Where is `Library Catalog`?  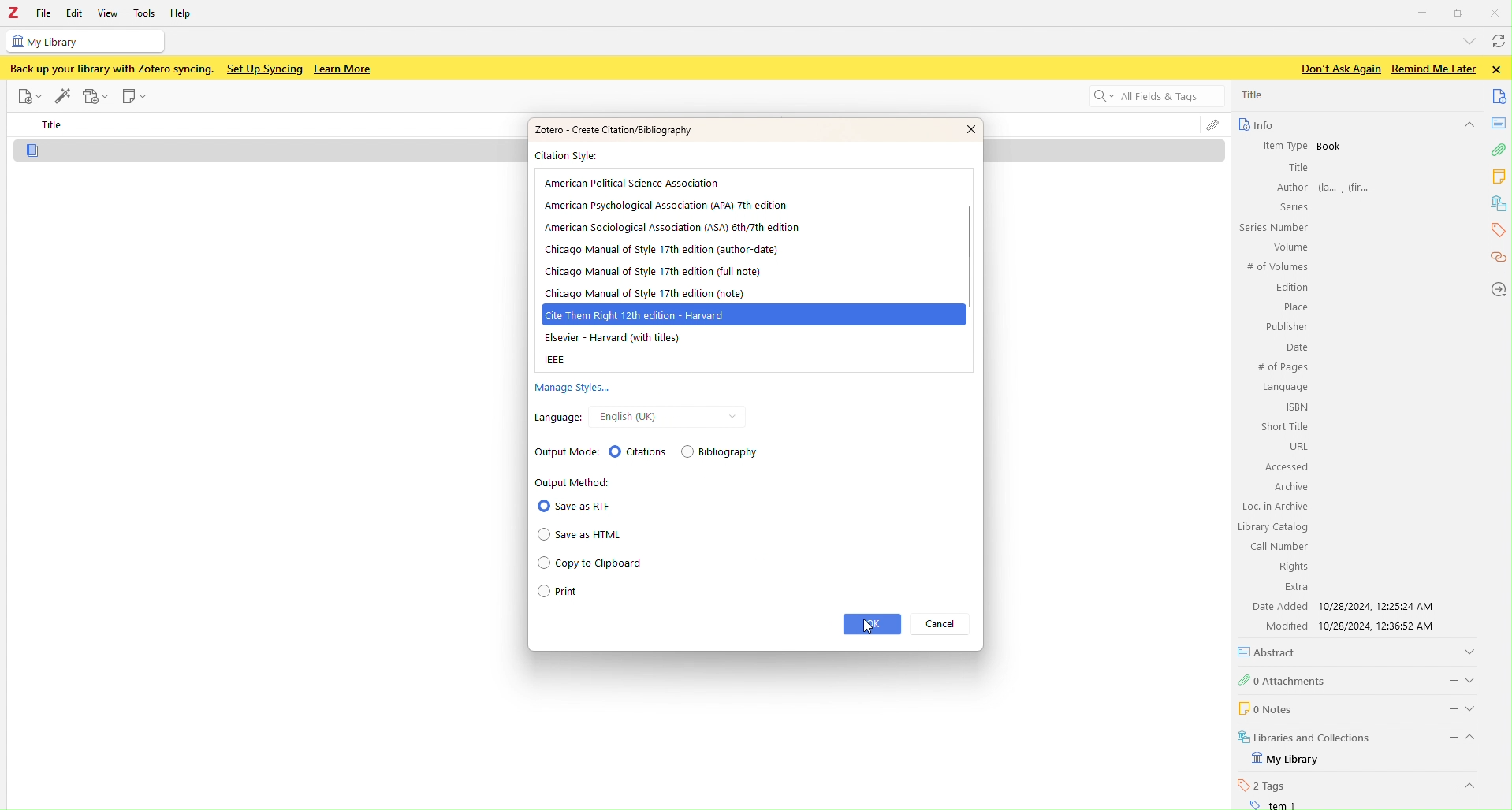
Library Catalog is located at coordinates (1274, 527).